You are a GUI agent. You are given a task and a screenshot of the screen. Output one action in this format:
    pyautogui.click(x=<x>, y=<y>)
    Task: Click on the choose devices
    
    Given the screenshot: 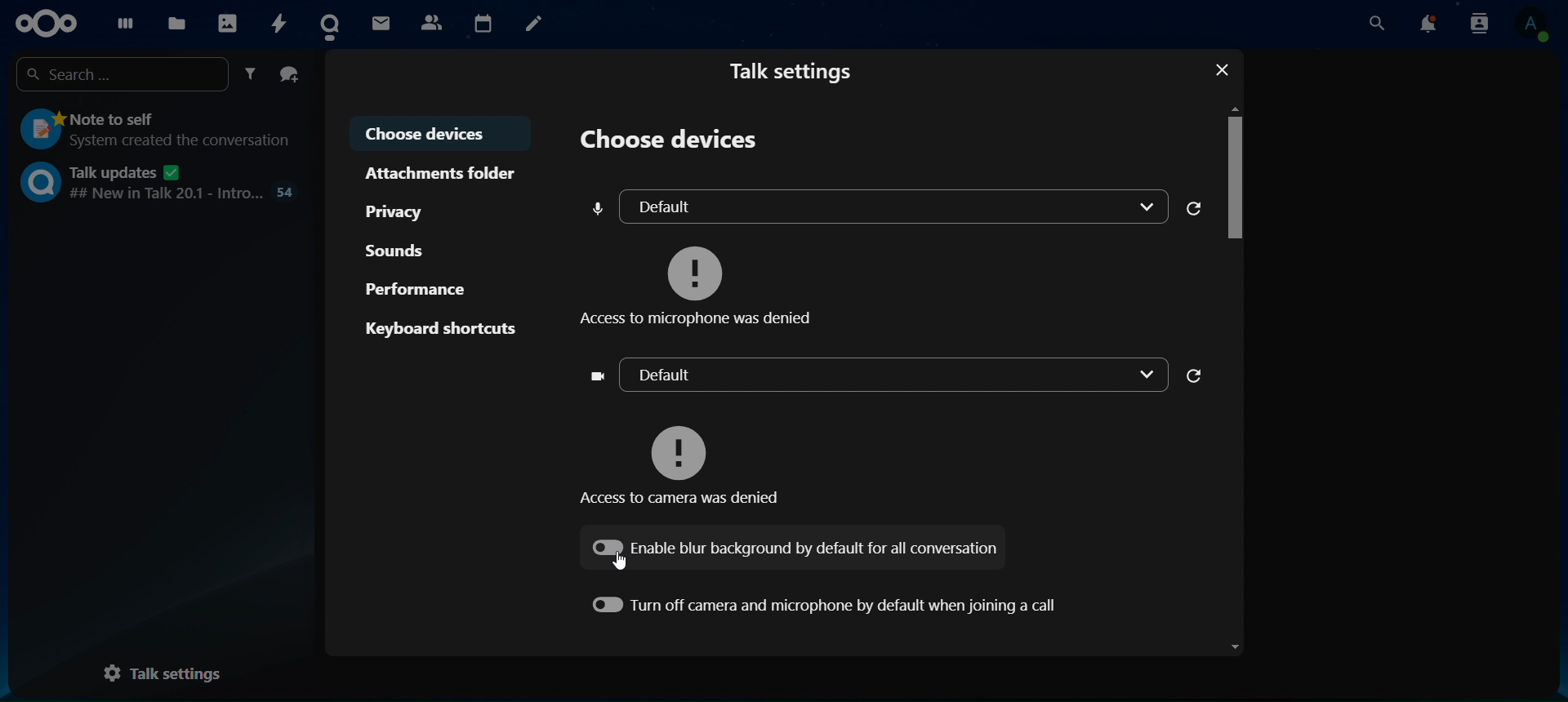 What is the action you would take?
    pyautogui.click(x=434, y=132)
    